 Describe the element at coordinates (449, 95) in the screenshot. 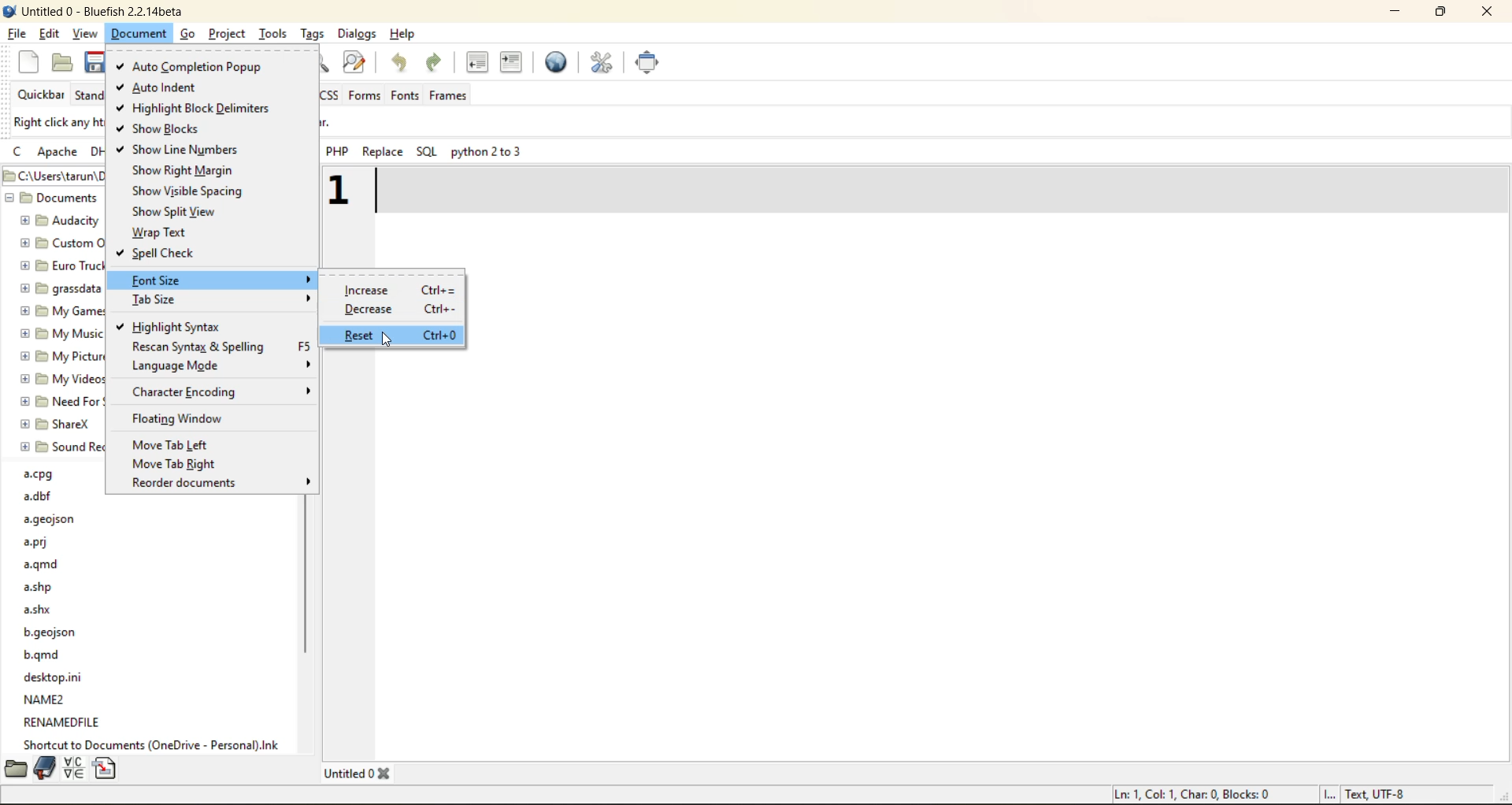

I see `frames` at that location.